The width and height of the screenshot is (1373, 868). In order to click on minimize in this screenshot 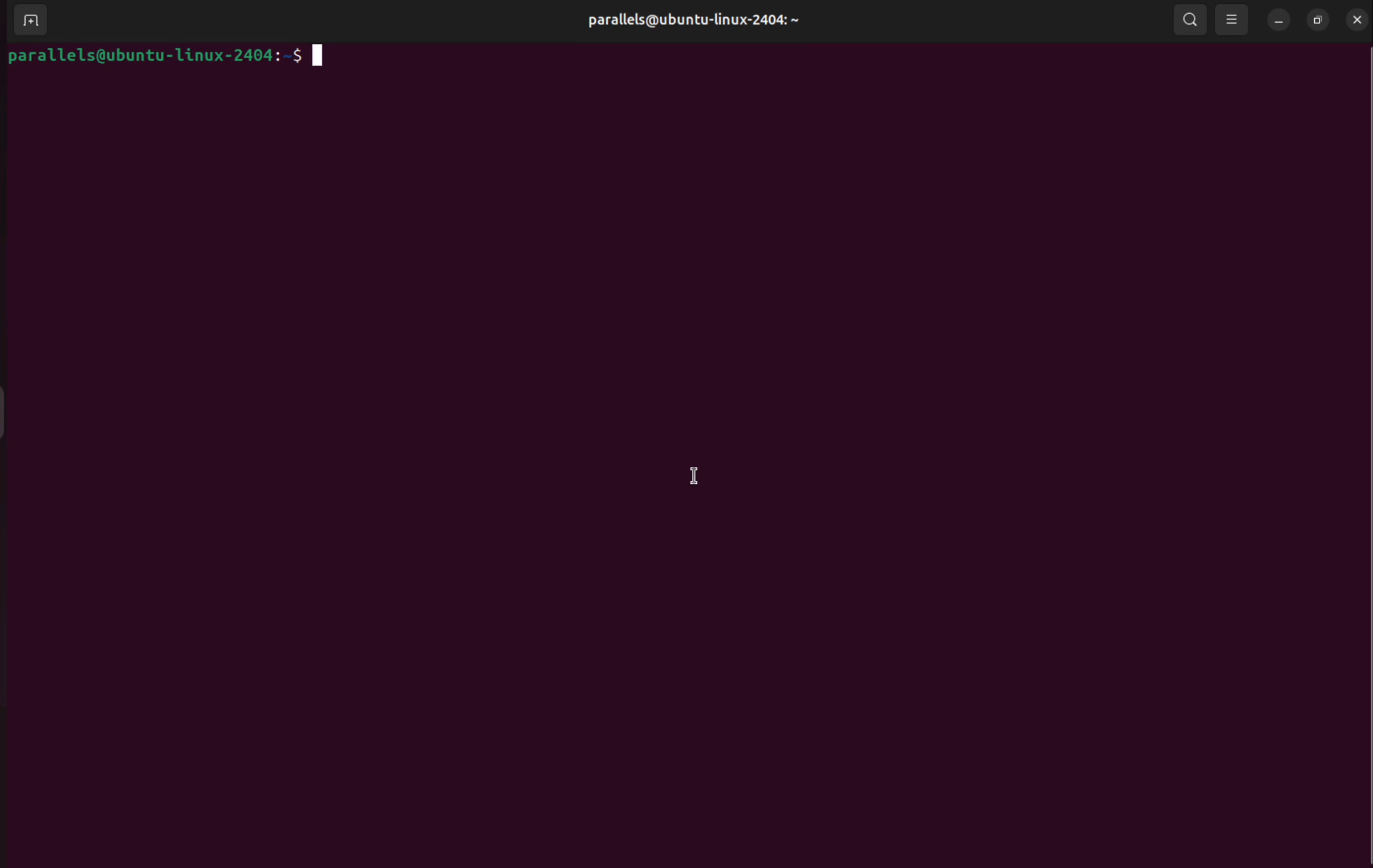, I will do `click(1278, 21)`.